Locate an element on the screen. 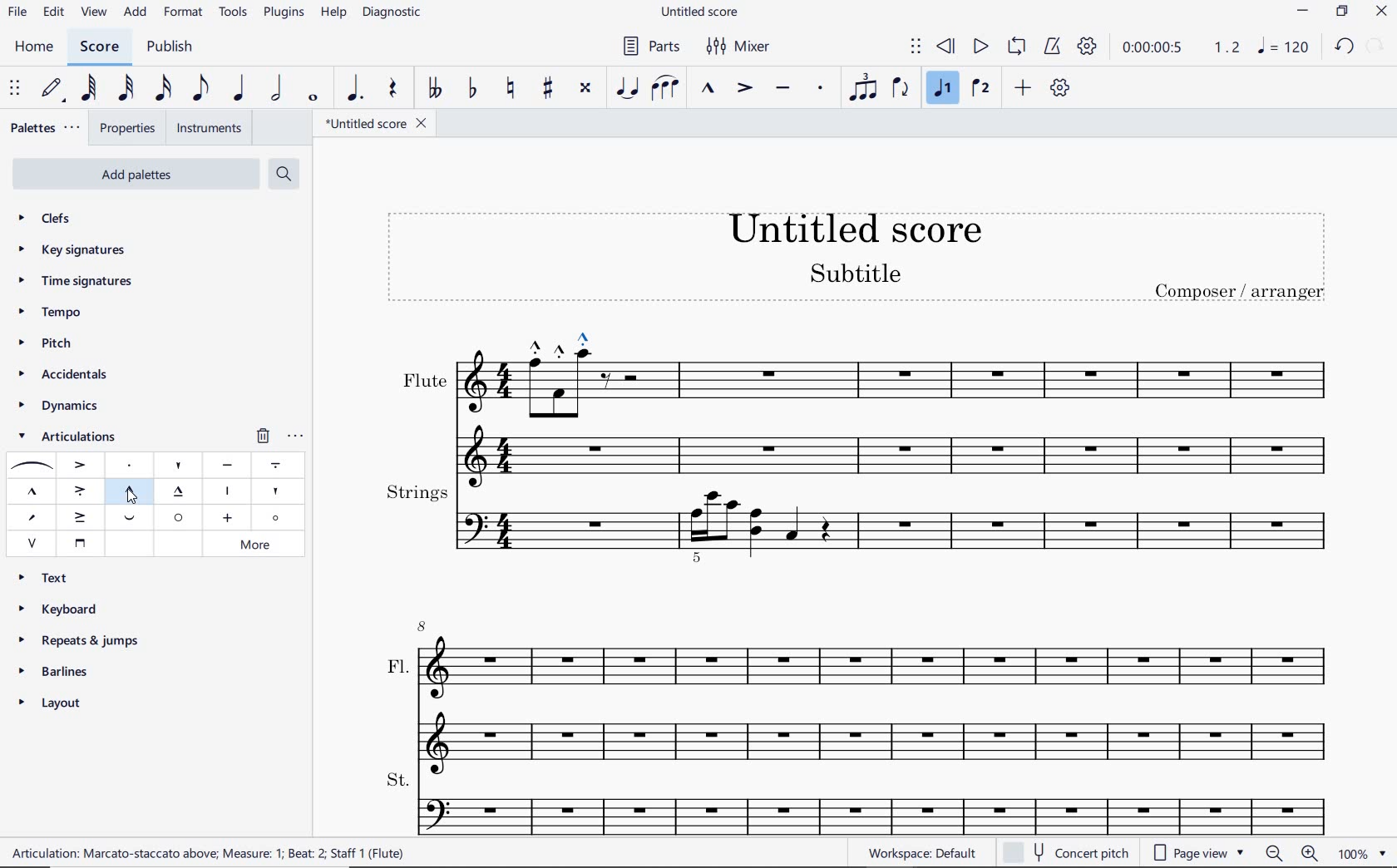 The width and height of the screenshot is (1397, 868). MORE is located at coordinates (259, 544).